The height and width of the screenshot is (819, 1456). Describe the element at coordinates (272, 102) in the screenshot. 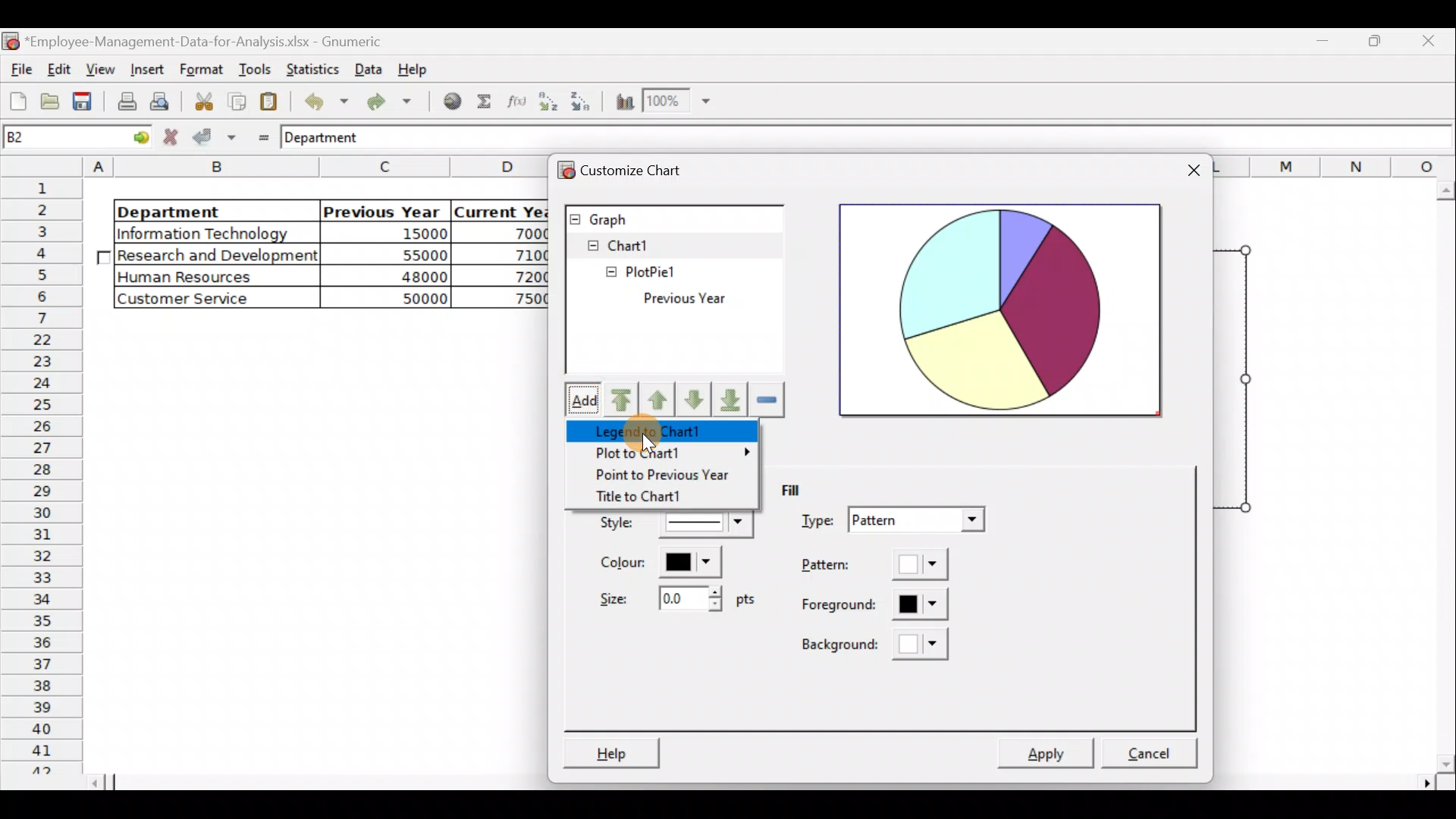

I see `Paste the clipboard` at that location.